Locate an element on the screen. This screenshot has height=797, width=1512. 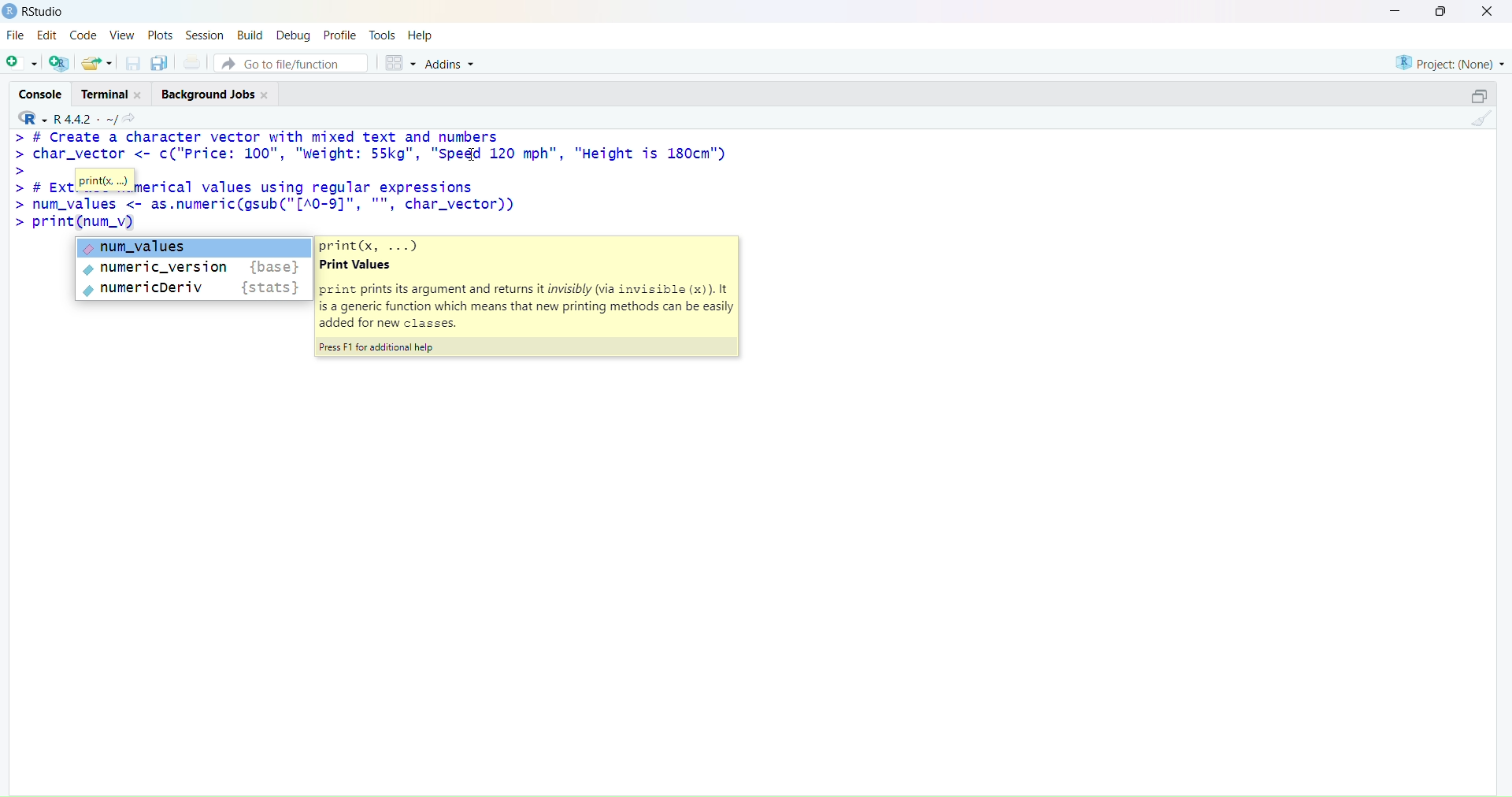
clean is located at coordinates (1482, 117).